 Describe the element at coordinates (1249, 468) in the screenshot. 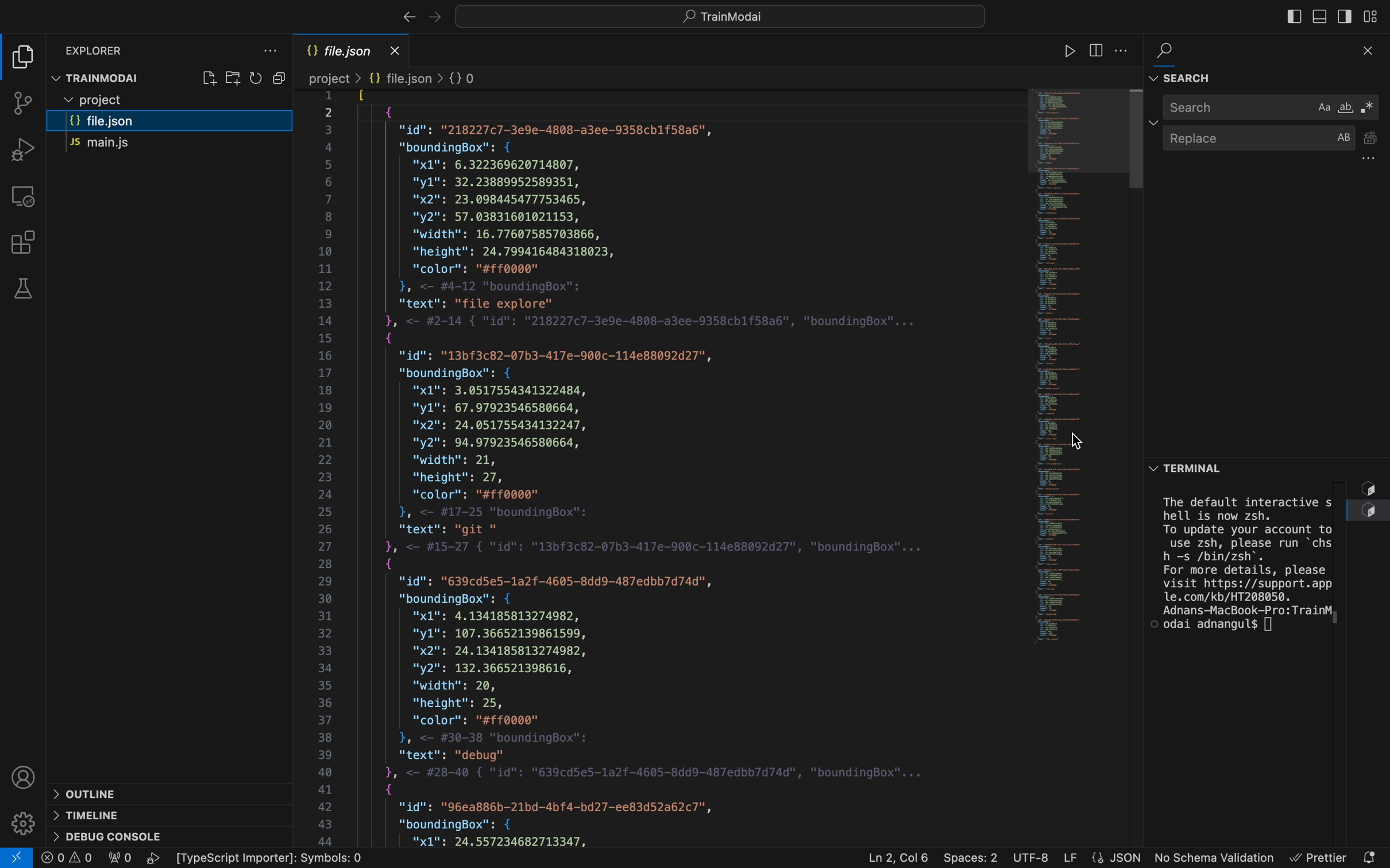

I see `terminal` at that location.